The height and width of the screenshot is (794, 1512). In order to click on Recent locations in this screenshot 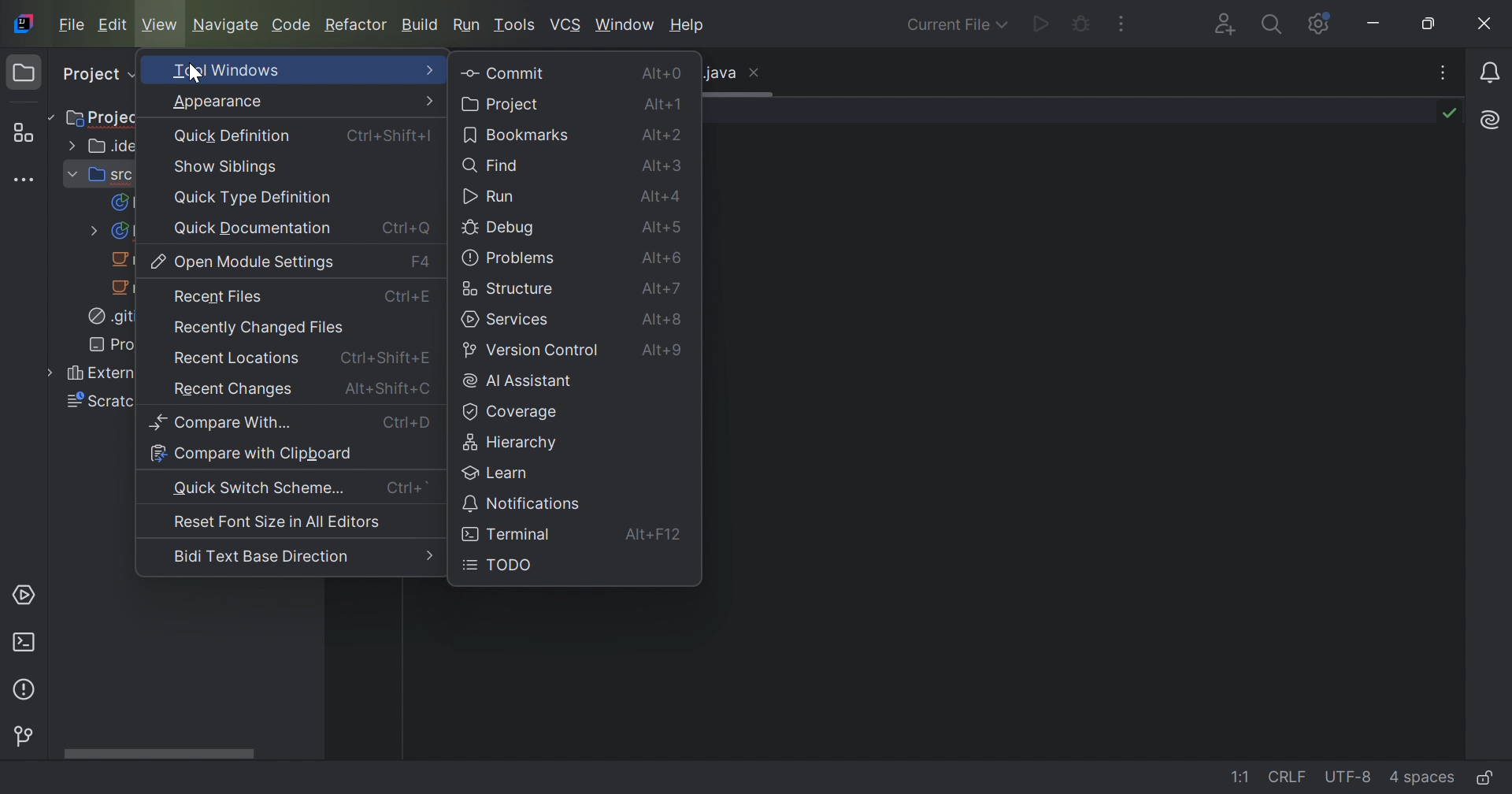, I will do `click(235, 361)`.